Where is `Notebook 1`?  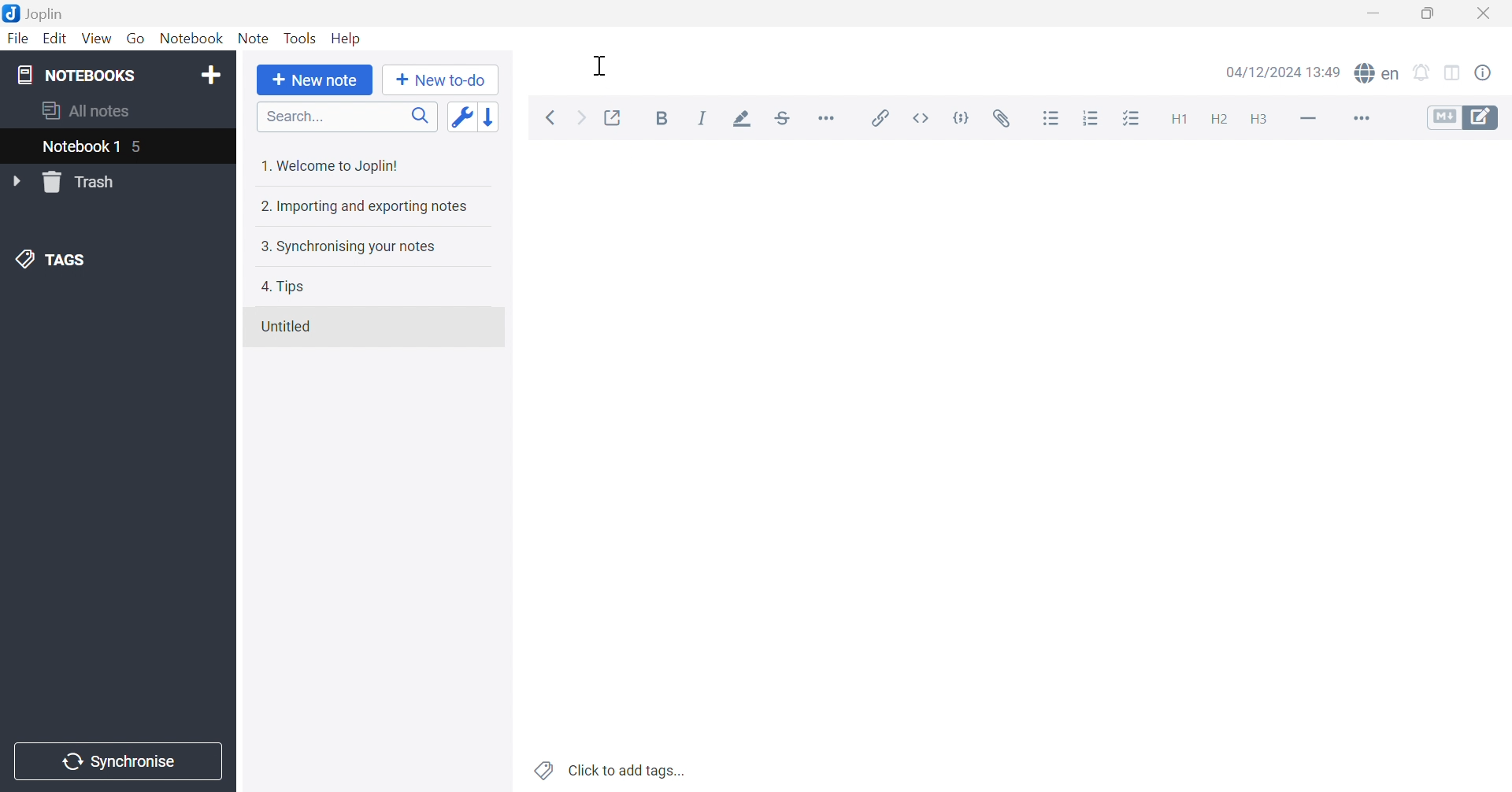
Notebook 1 is located at coordinates (80, 147).